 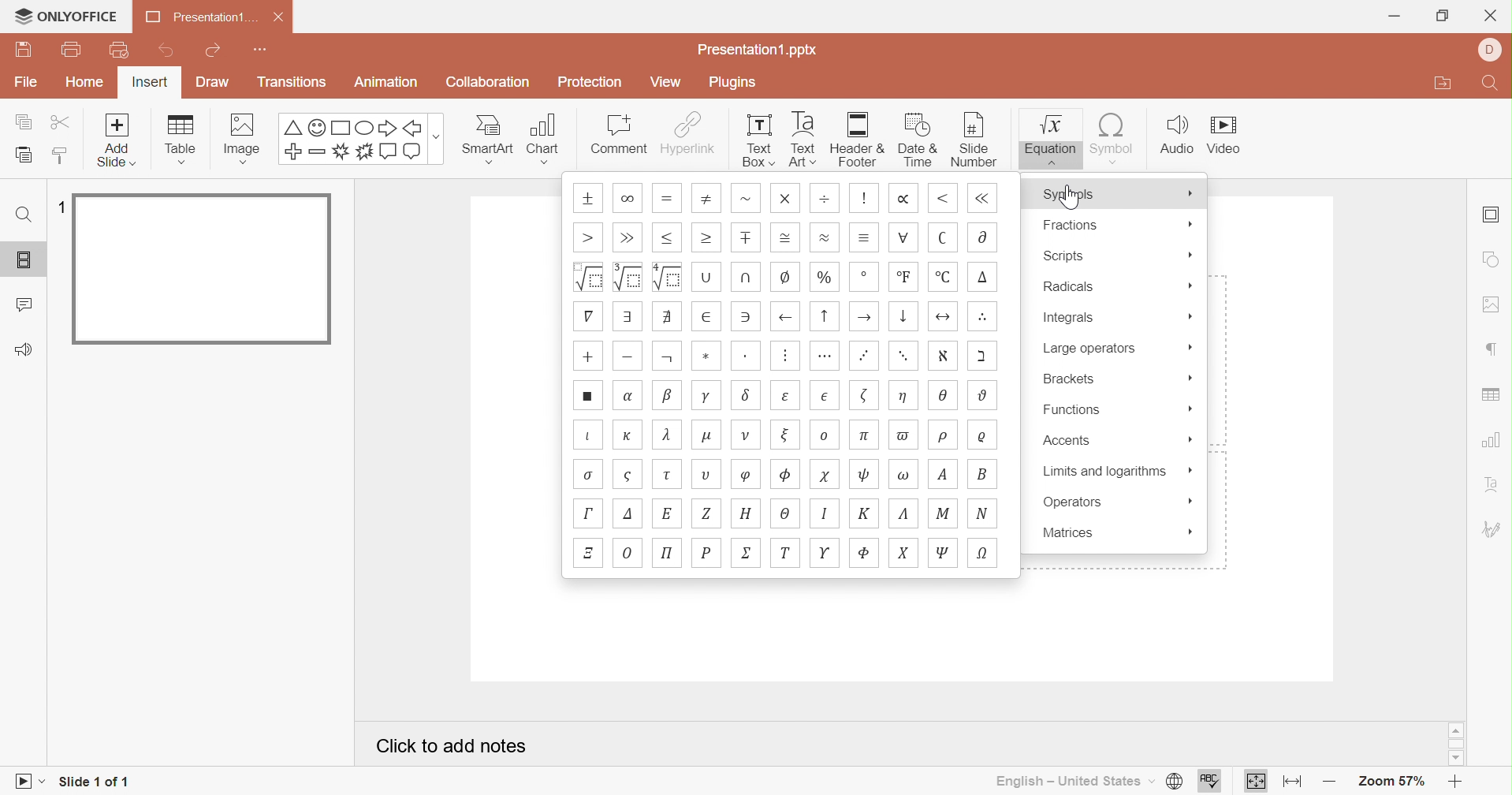 I want to click on Quick print, so click(x=121, y=50).